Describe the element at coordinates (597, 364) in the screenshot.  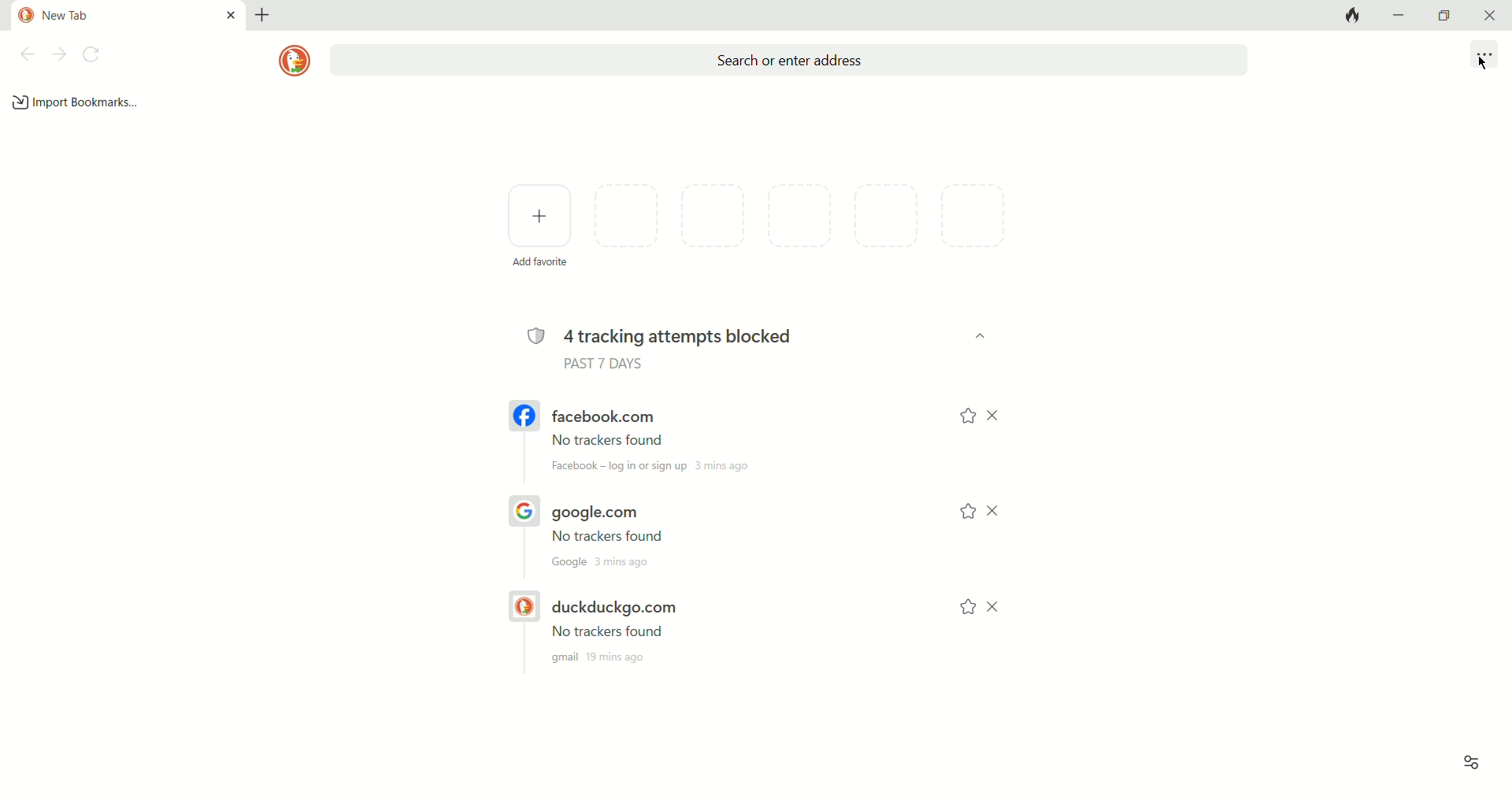
I see `PAST 7 DAYS` at that location.